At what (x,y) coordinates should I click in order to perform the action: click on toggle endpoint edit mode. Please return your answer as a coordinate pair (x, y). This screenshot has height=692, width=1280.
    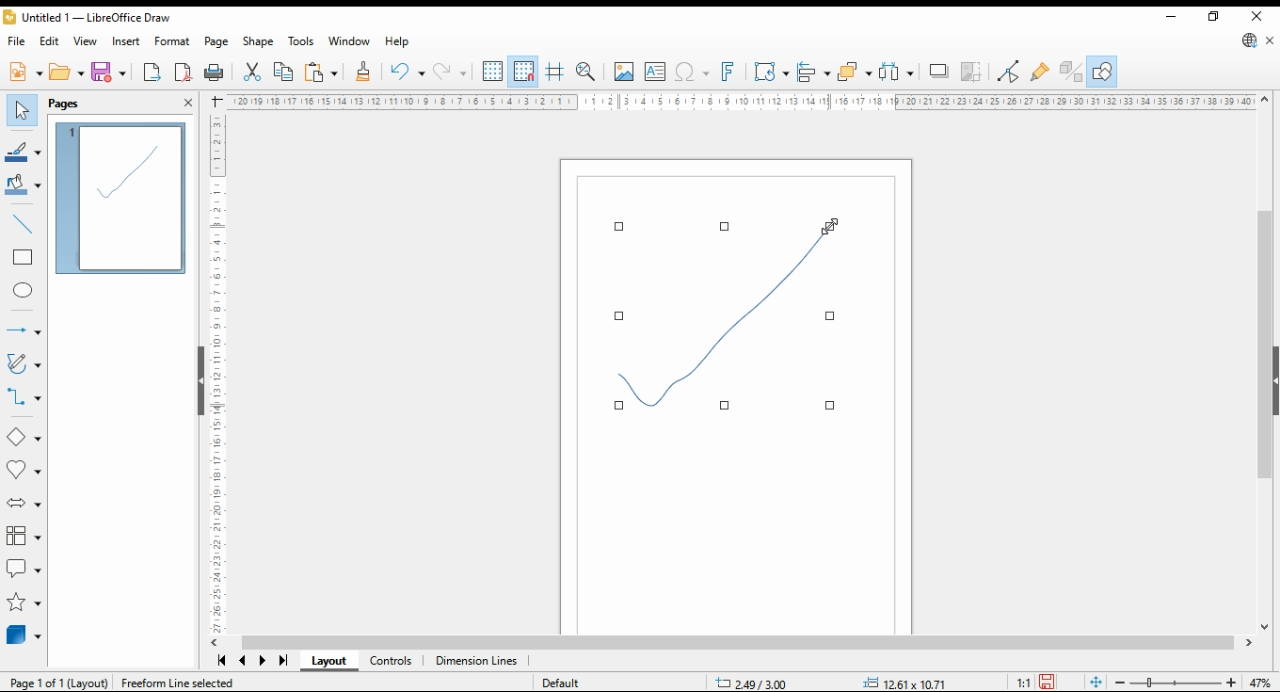
    Looking at the image, I should click on (1009, 72).